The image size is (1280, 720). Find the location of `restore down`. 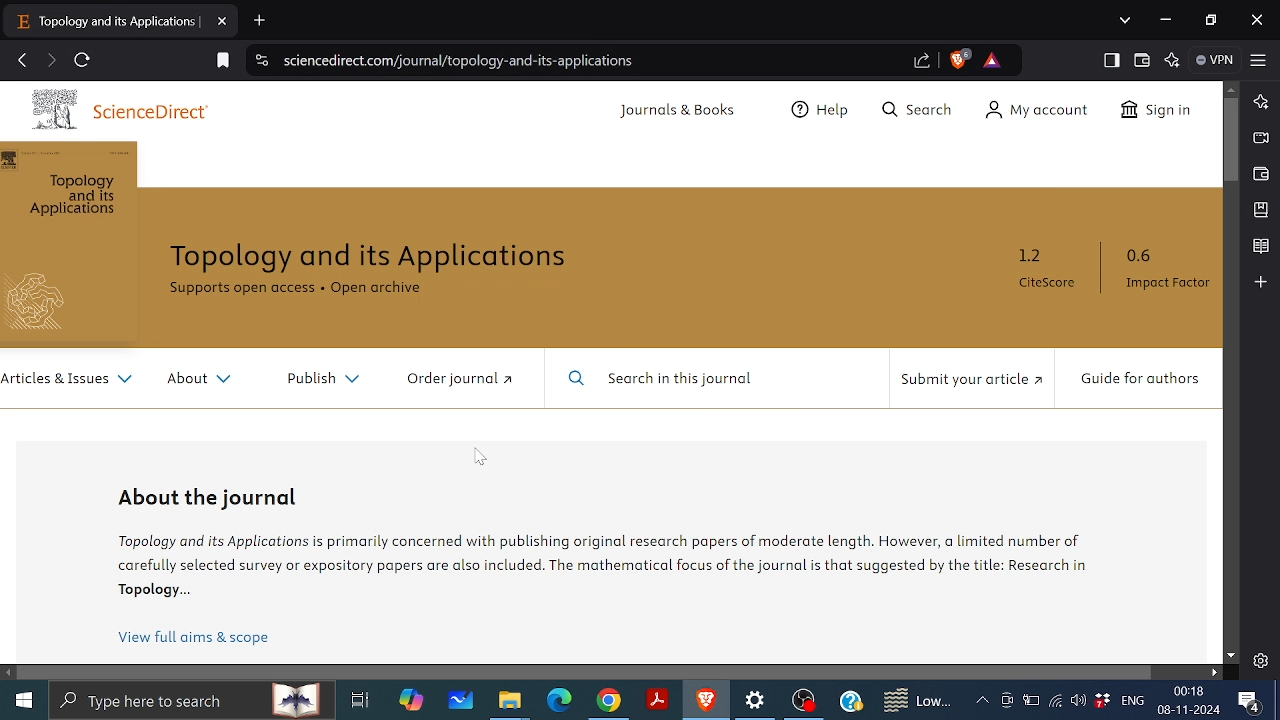

restore down is located at coordinates (1208, 20).